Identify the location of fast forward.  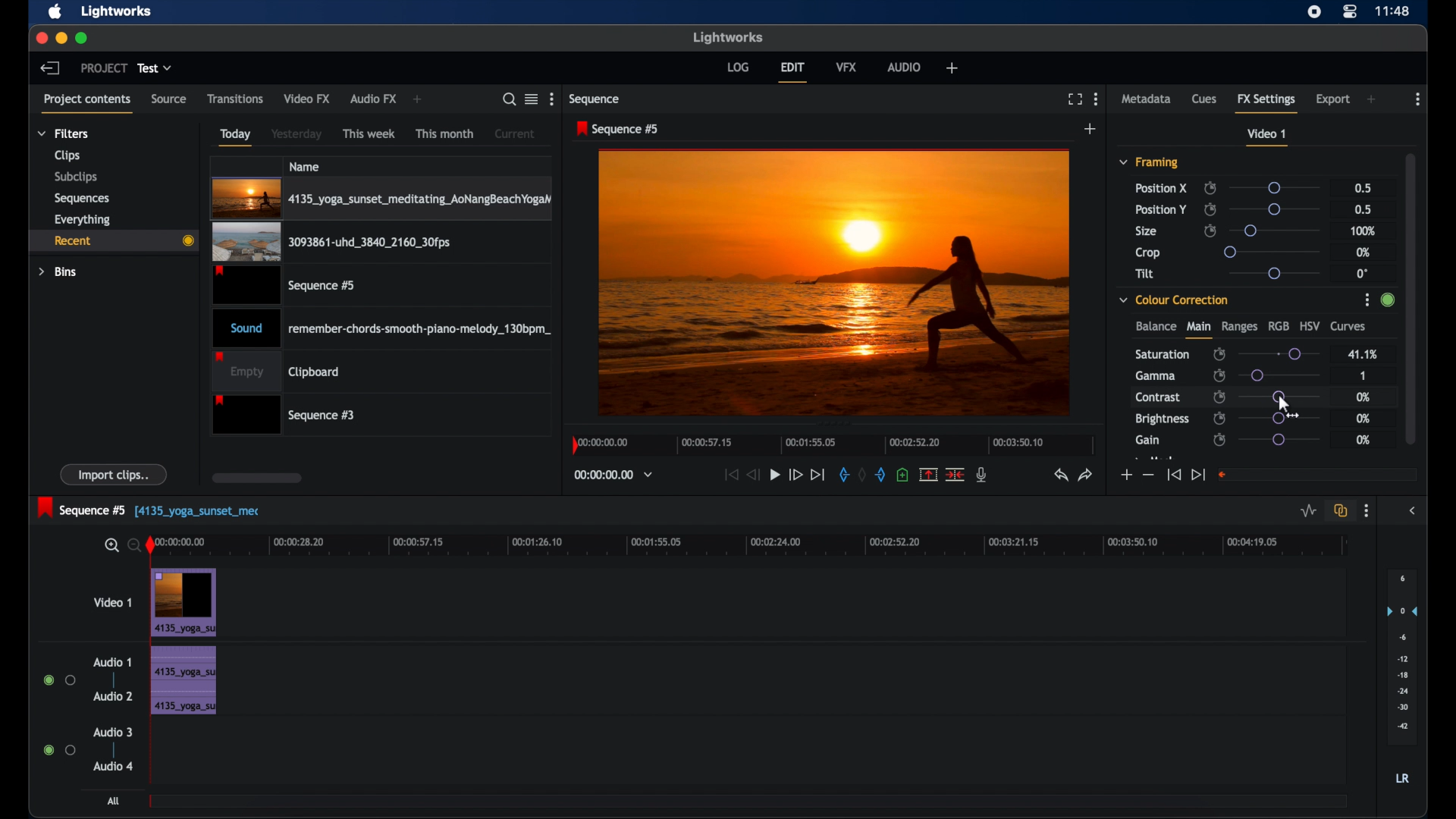
(795, 475).